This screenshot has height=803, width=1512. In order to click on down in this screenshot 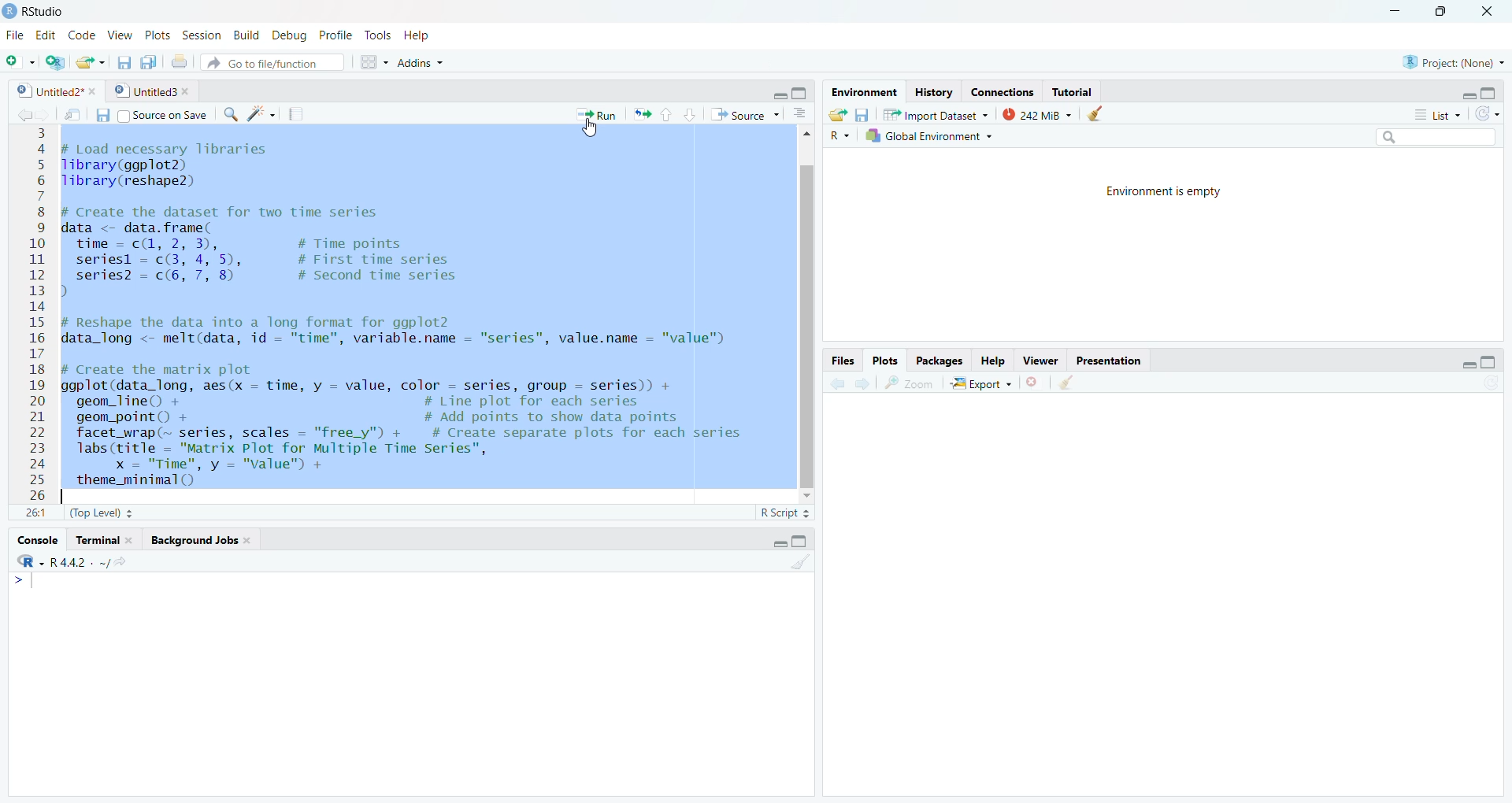, I will do `click(688, 114)`.